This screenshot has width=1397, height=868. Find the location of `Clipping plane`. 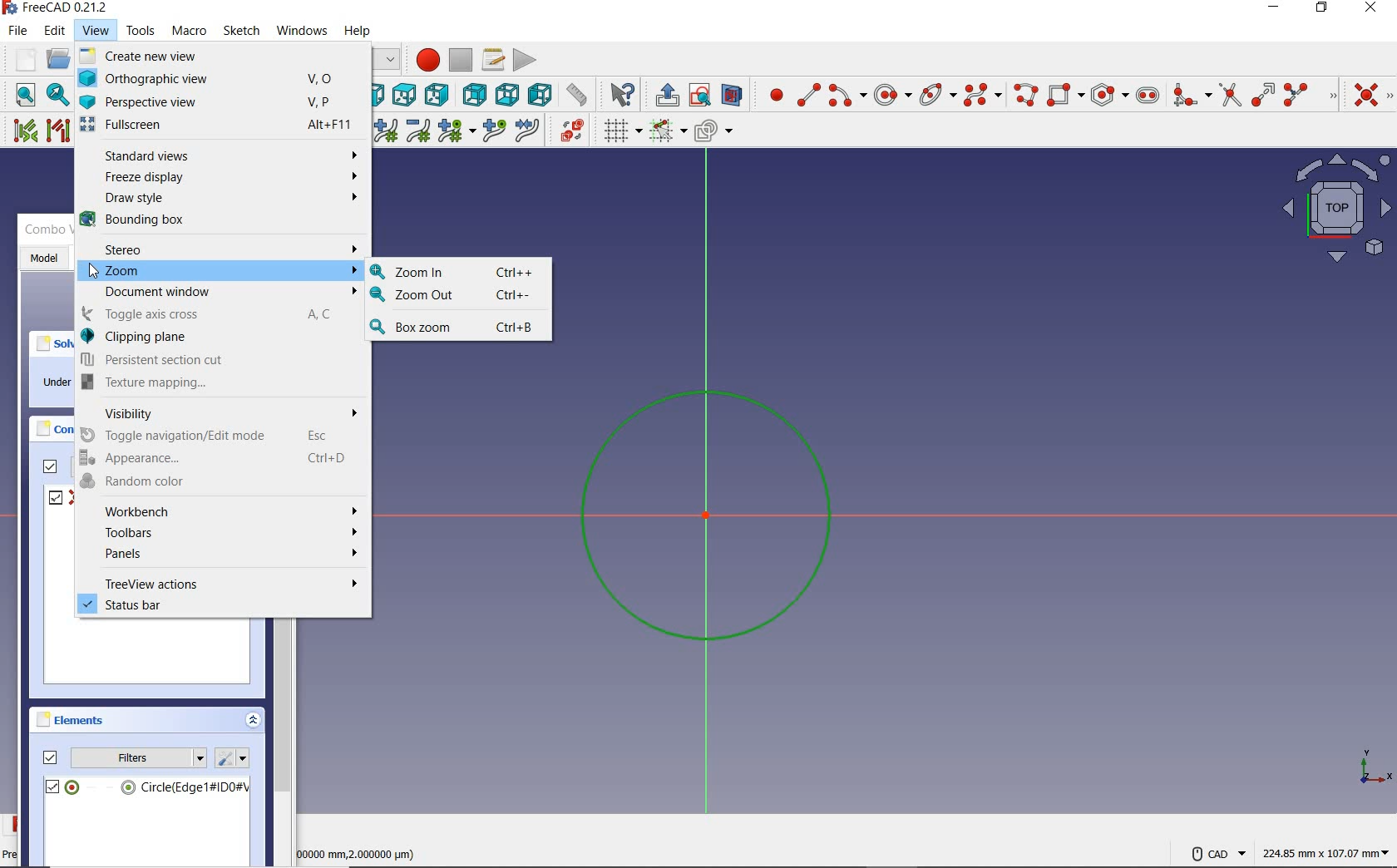

Clipping plane is located at coordinates (136, 336).